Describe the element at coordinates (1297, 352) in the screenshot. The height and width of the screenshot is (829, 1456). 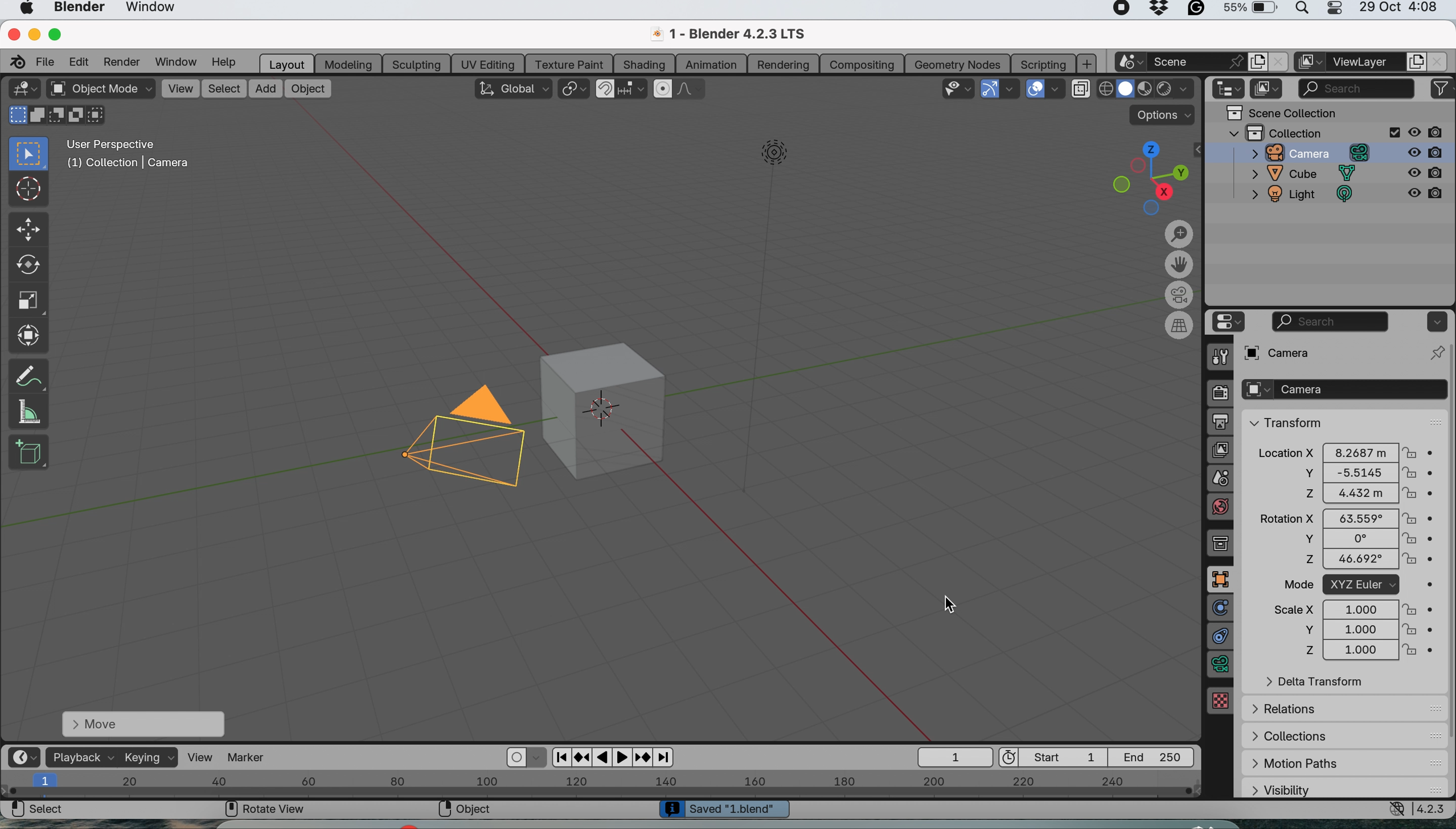
I see `camera` at that location.